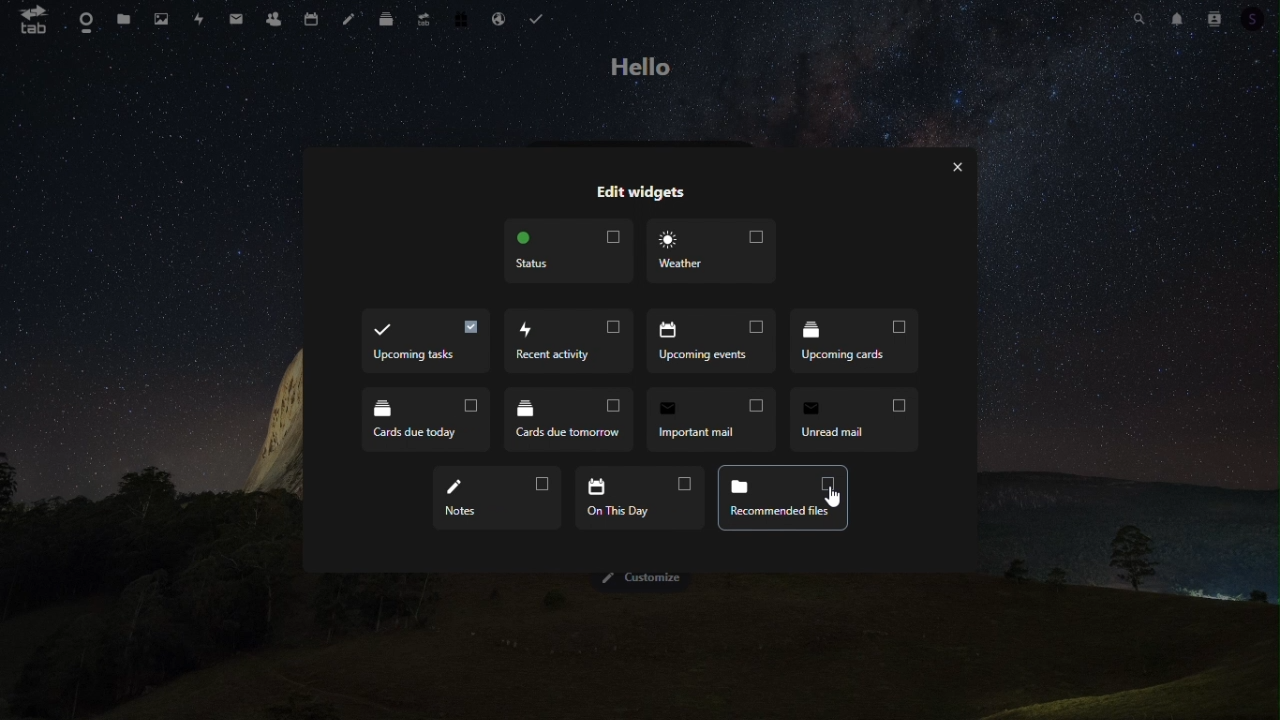 This screenshot has width=1280, height=720. I want to click on Cursor, so click(833, 498).